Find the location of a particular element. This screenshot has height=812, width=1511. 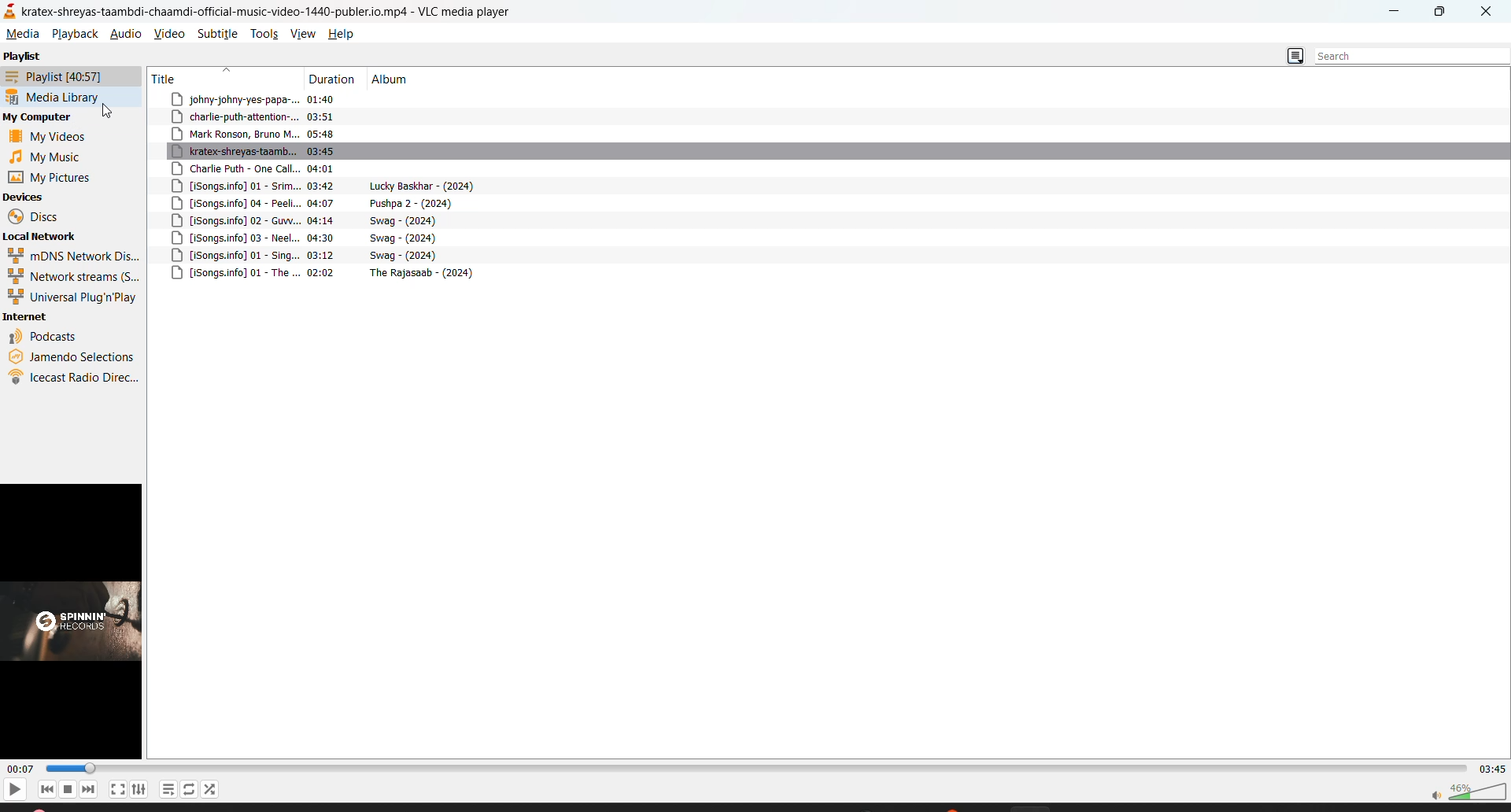

tools is located at coordinates (265, 35).